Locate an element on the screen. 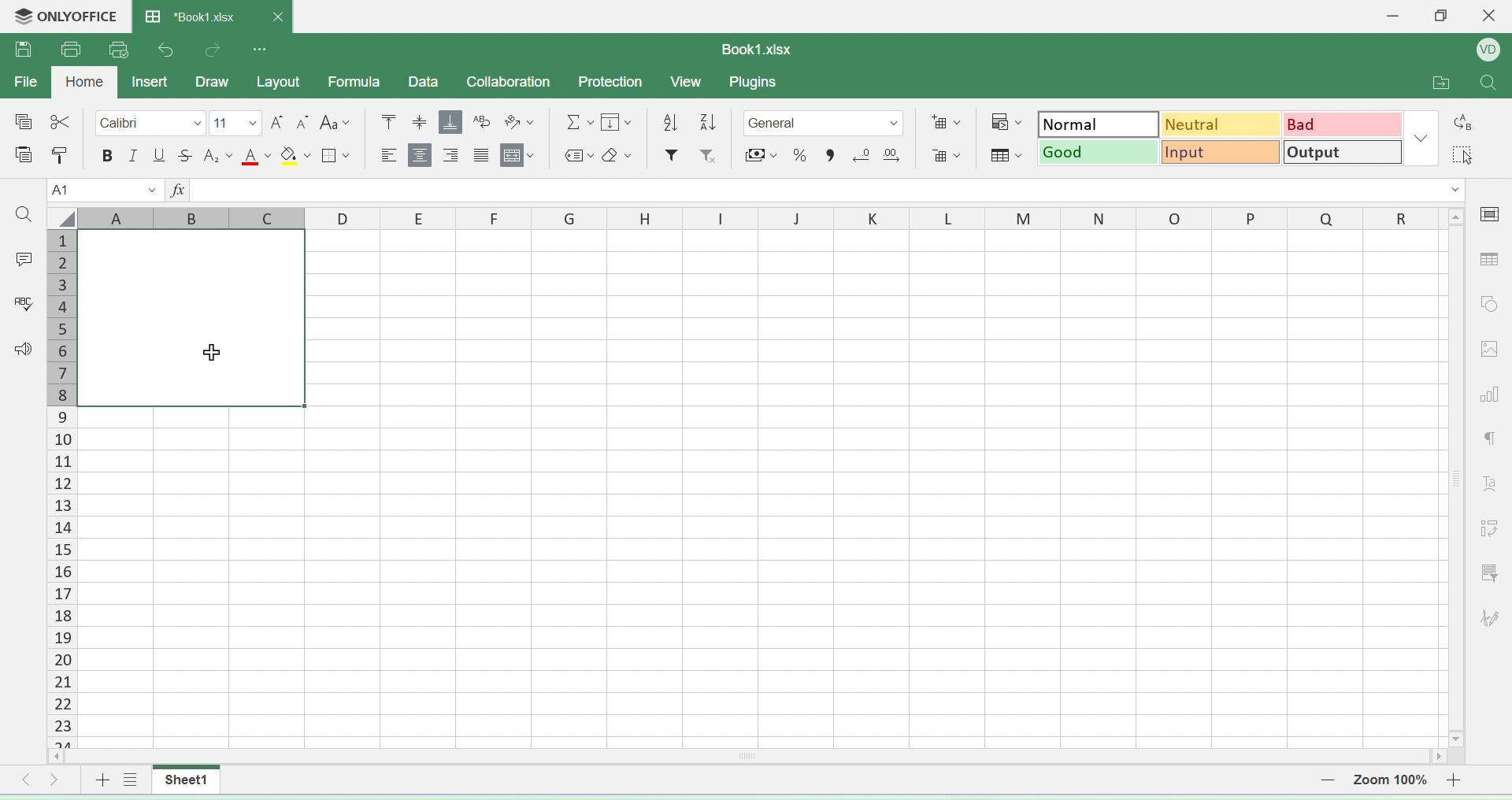  ascending order is located at coordinates (710, 122).